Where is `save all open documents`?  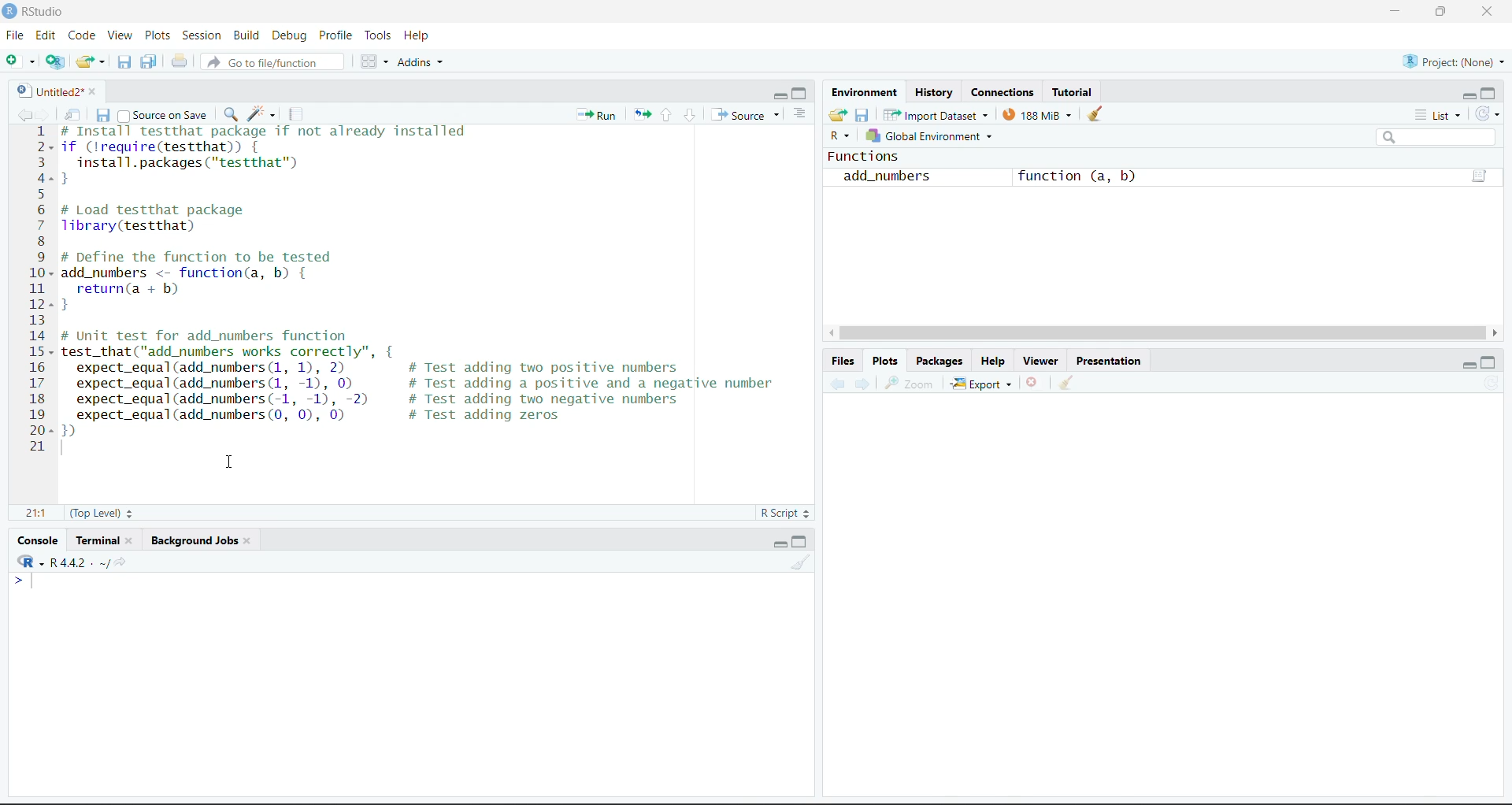 save all open documents is located at coordinates (150, 62).